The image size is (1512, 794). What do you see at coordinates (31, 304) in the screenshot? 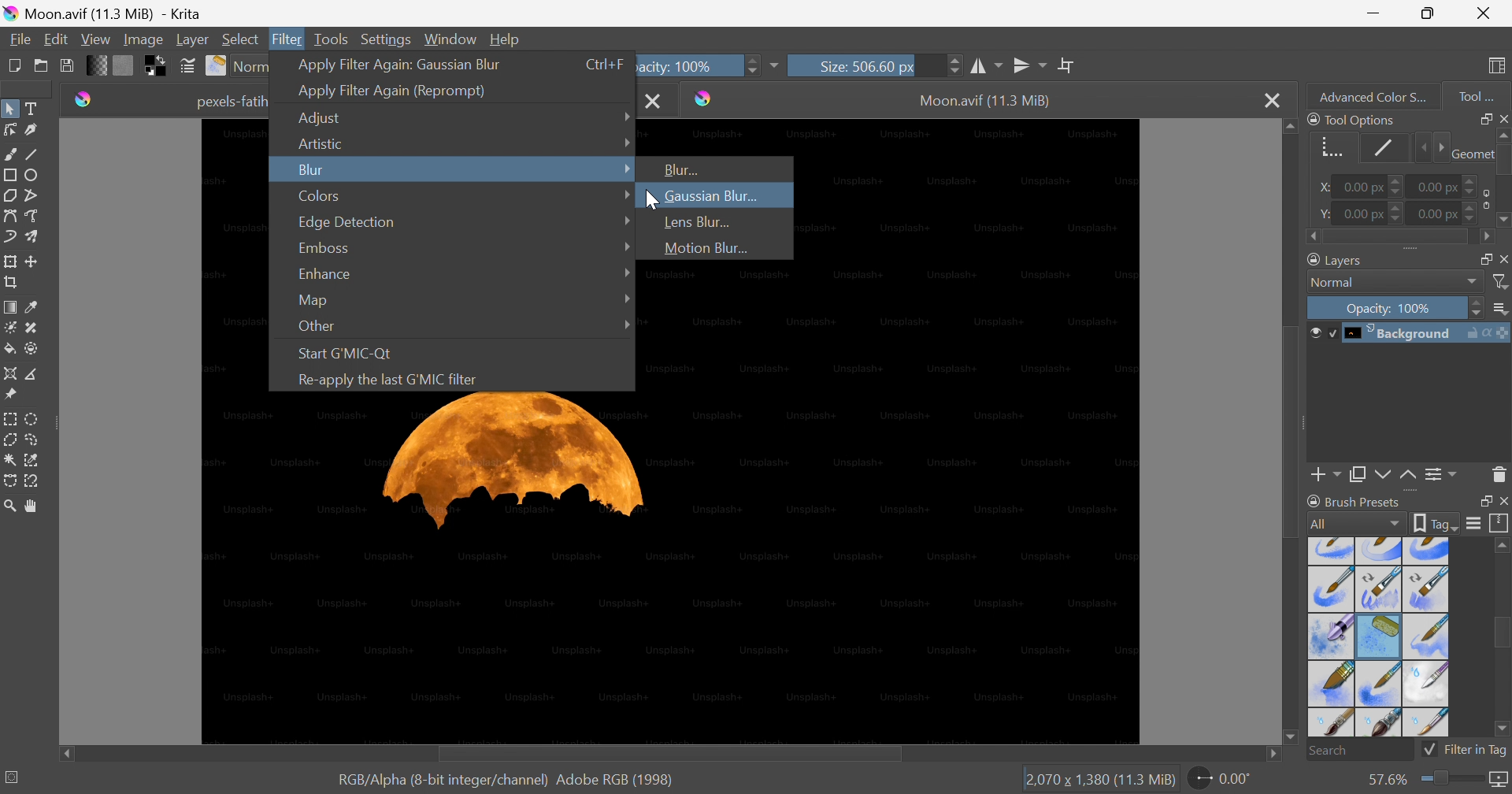
I see `Sample a color from the image or current layer` at bounding box center [31, 304].